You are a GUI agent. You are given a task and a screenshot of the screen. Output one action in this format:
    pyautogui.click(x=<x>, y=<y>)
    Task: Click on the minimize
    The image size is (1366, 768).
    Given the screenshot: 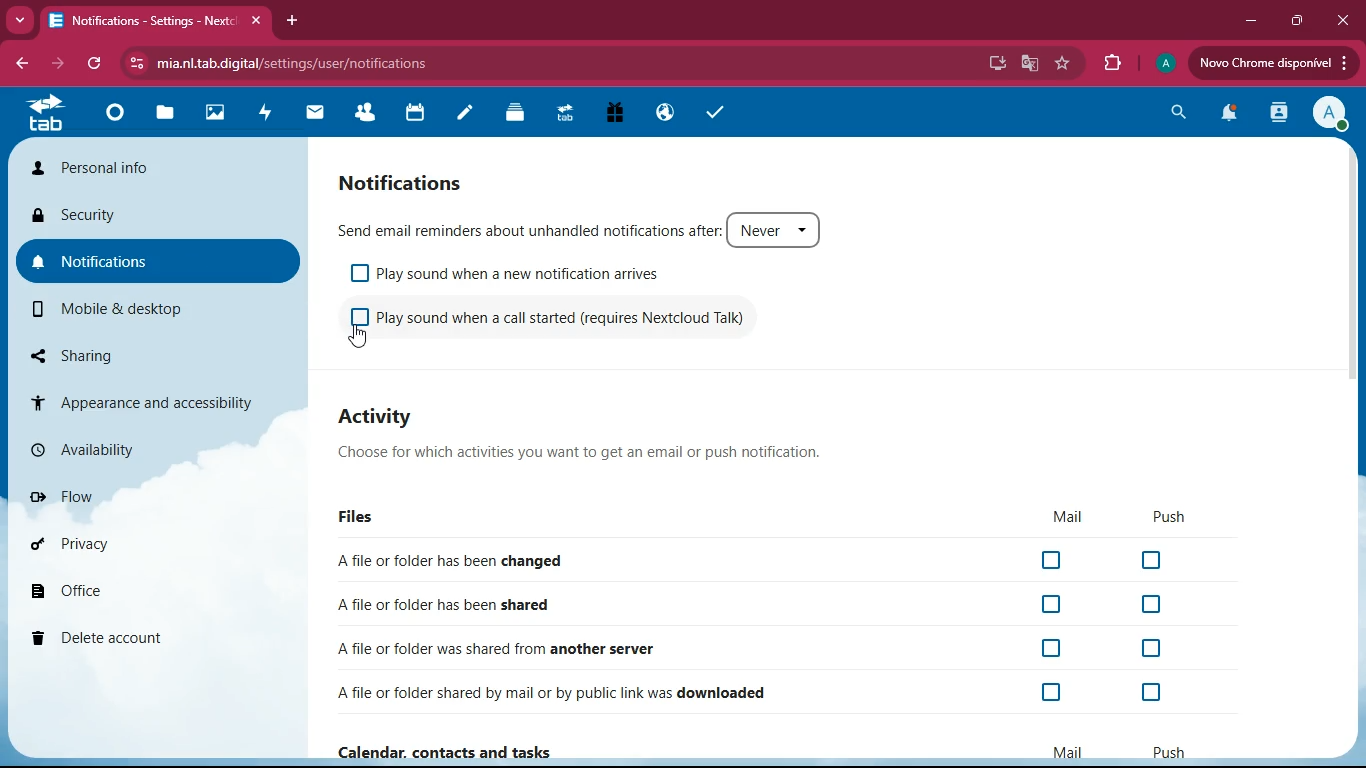 What is the action you would take?
    pyautogui.click(x=1249, y=20)
    